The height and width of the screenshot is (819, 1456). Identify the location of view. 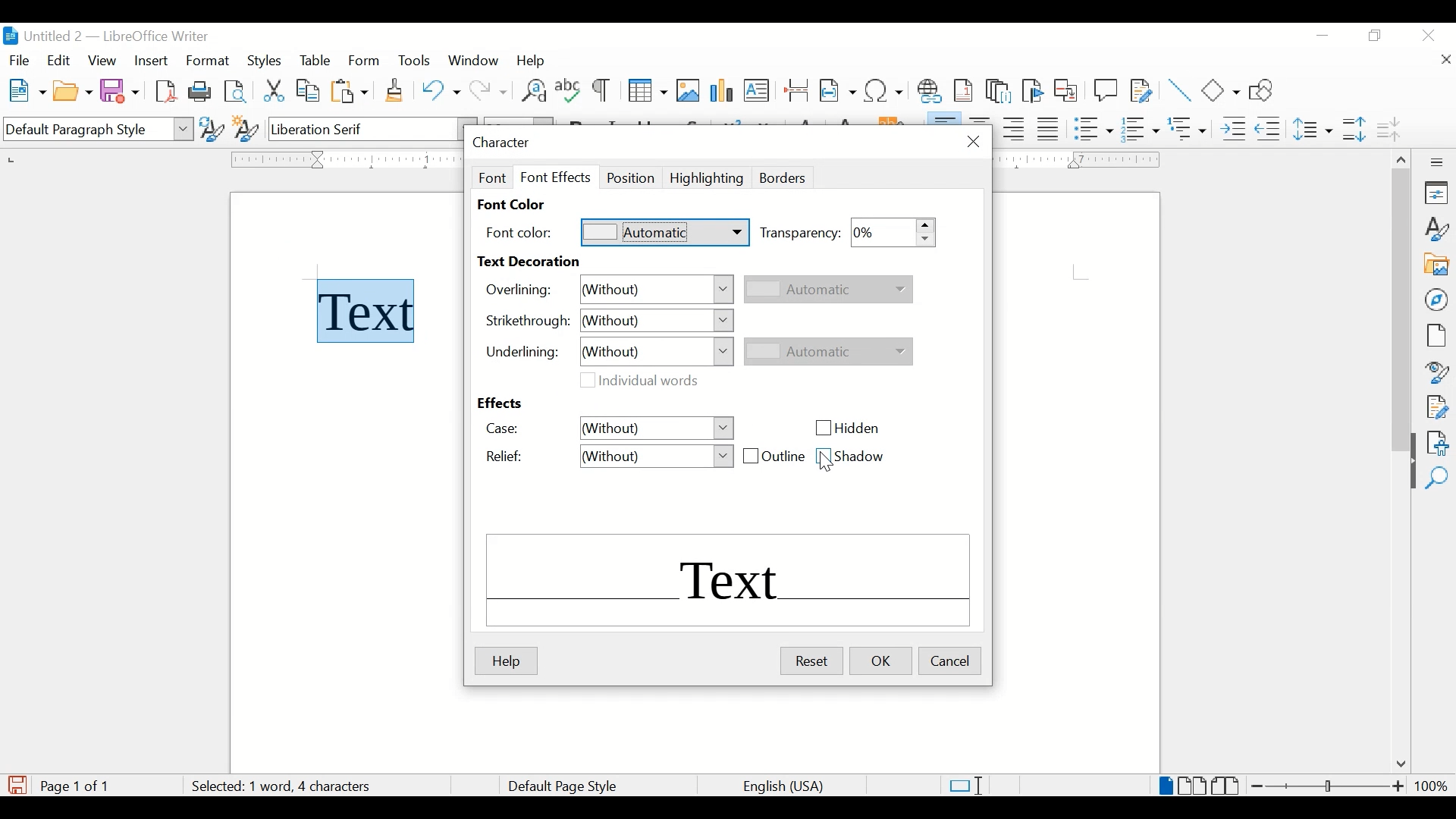
(104, 61).